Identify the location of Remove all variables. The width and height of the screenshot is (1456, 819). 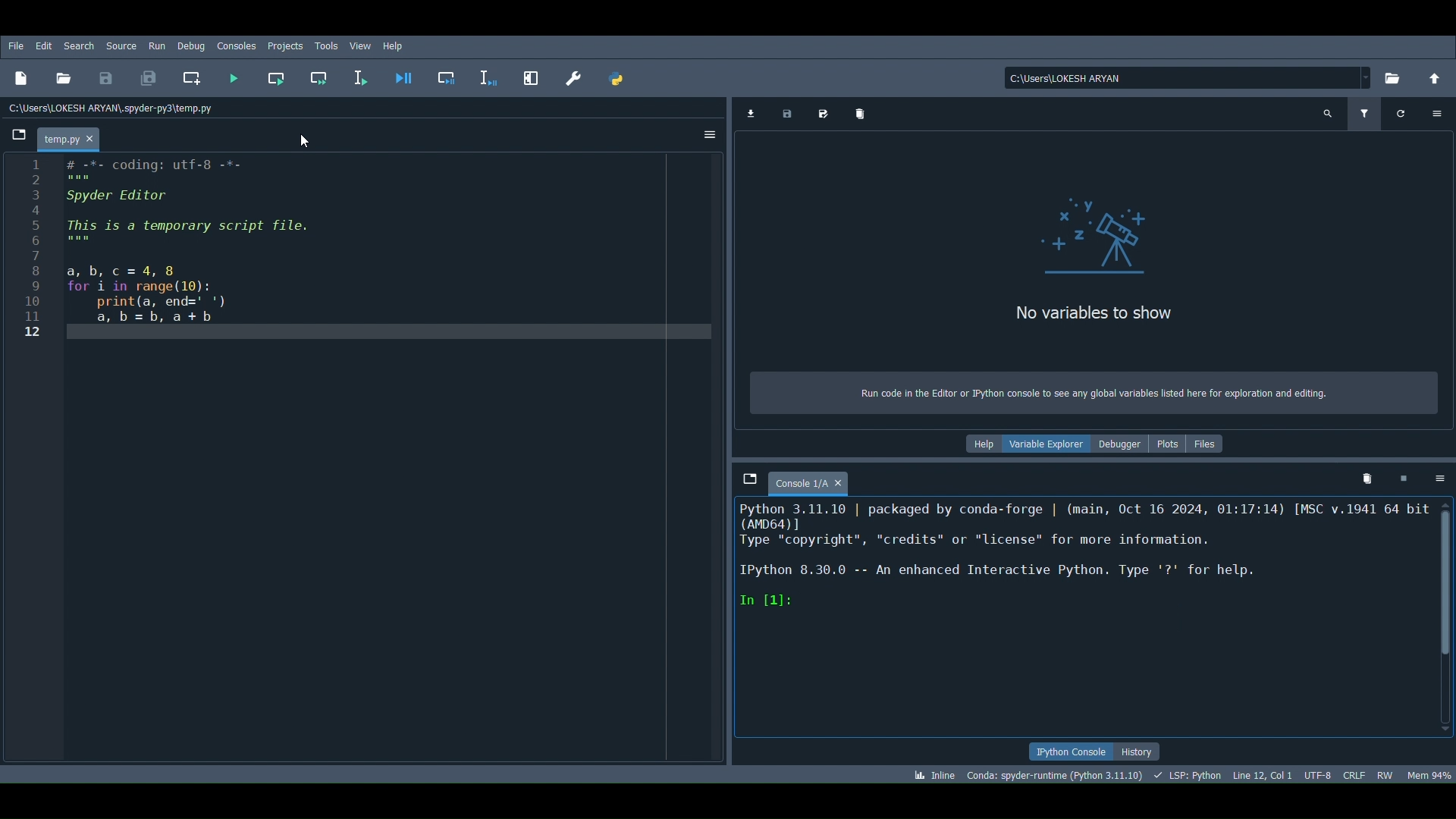
(864, 114).